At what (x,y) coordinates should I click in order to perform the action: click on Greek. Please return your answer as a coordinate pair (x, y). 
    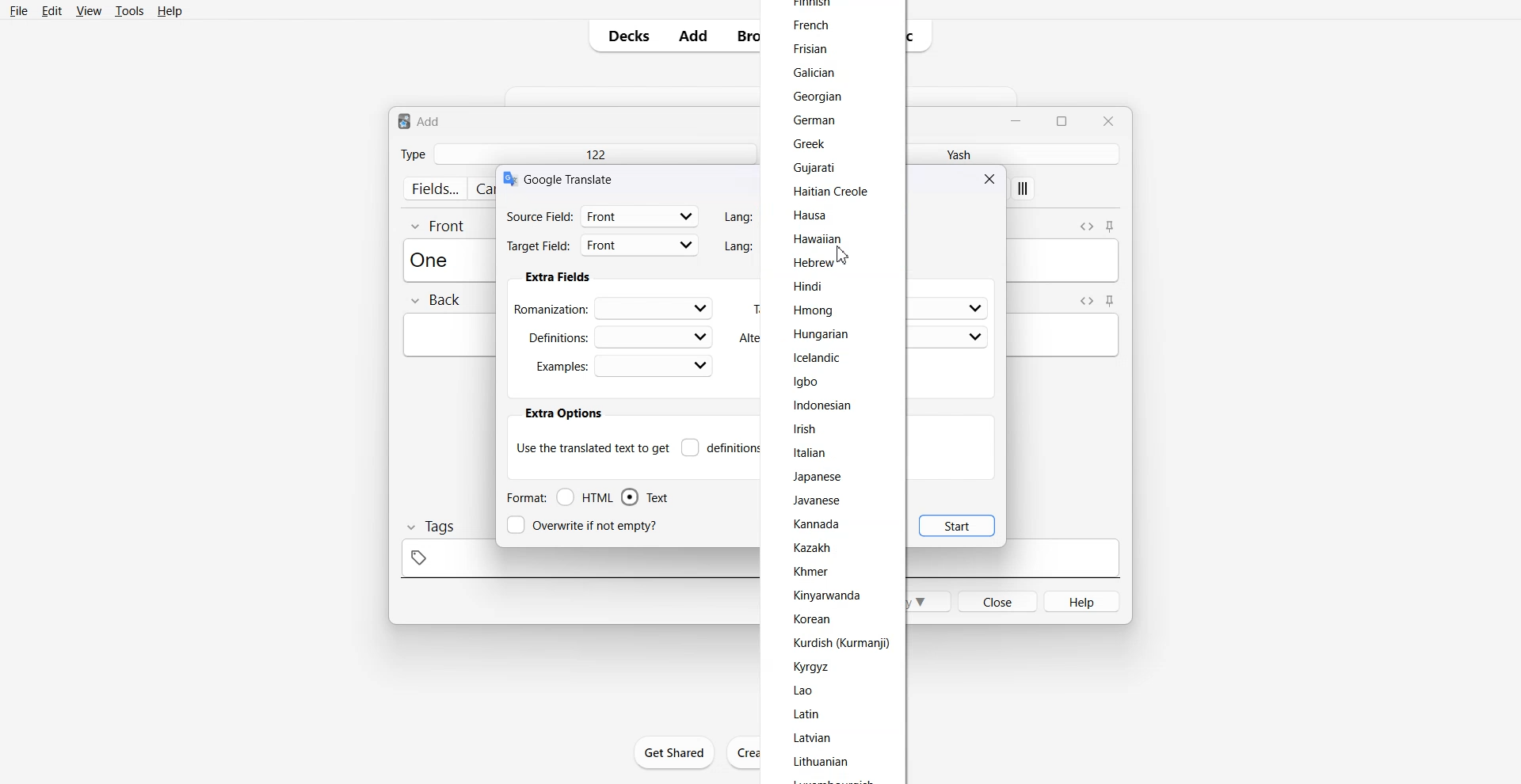
    Looking at the image, I should click on (805, 143).